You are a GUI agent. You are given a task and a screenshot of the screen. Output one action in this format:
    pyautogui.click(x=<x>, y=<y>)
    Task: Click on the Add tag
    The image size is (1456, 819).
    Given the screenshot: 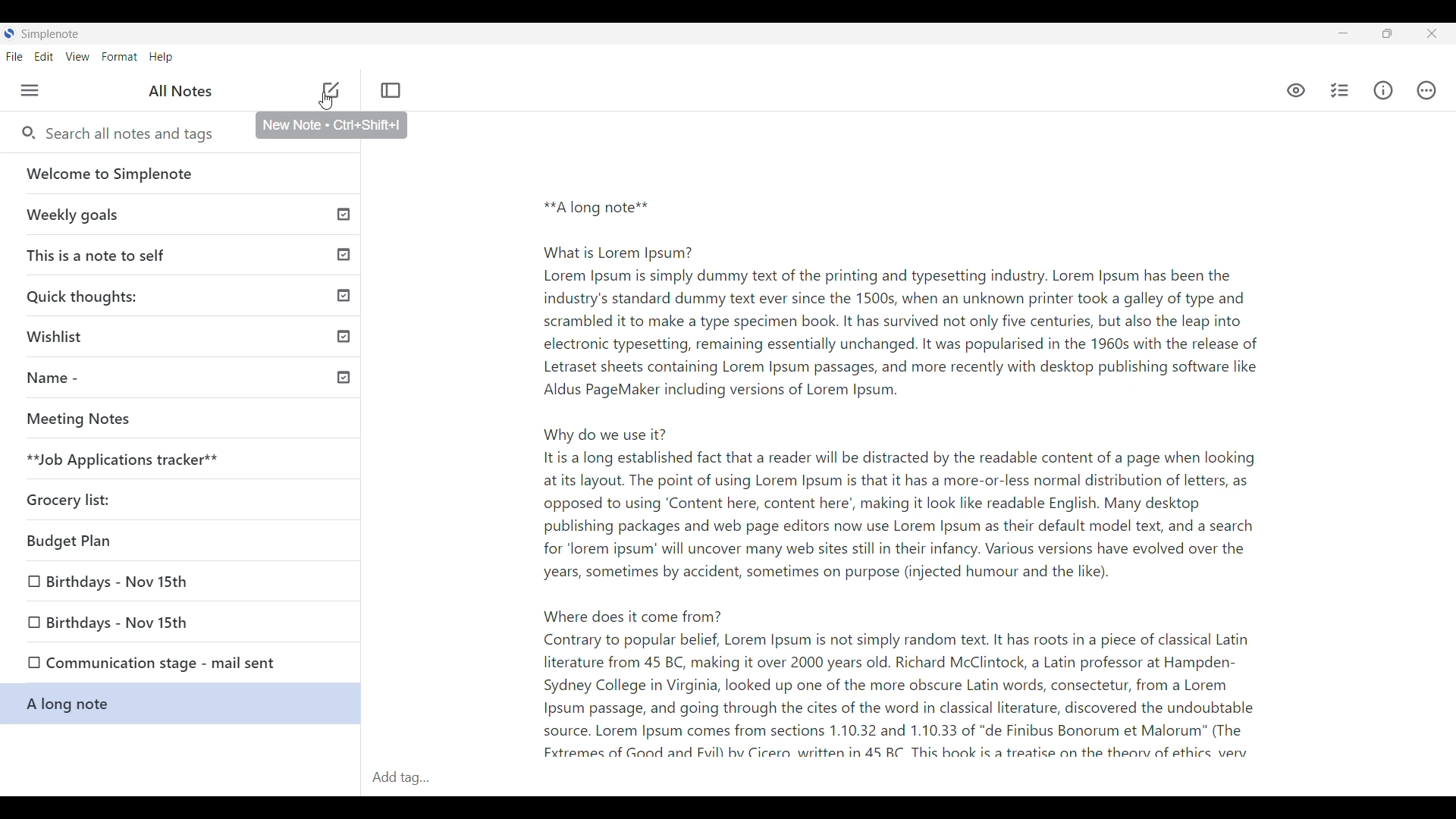 What is the action you would take?
    pyautogui.click(x=409, y=777)
    